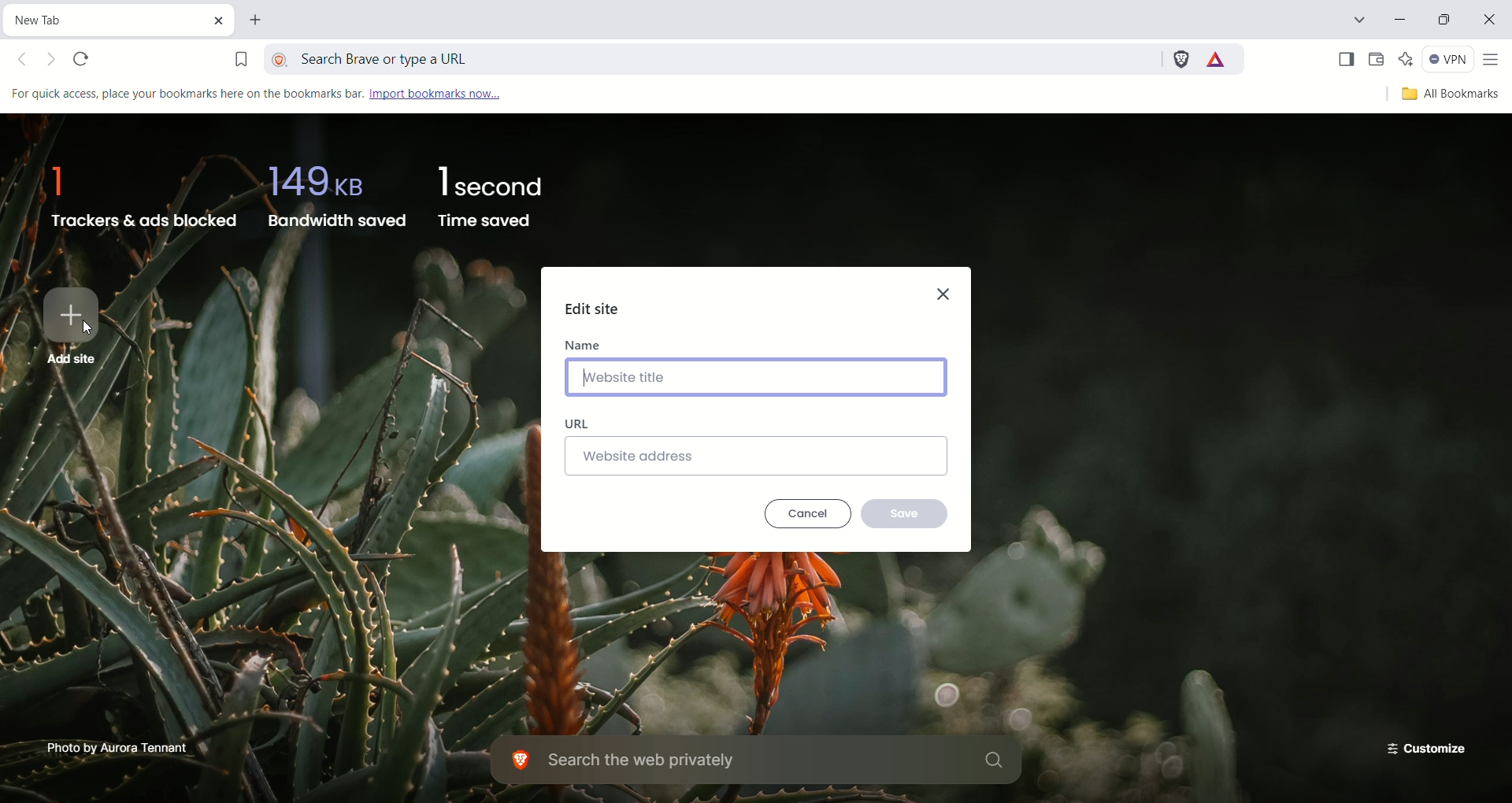  I want to click on wallet, so click(1377, 60).